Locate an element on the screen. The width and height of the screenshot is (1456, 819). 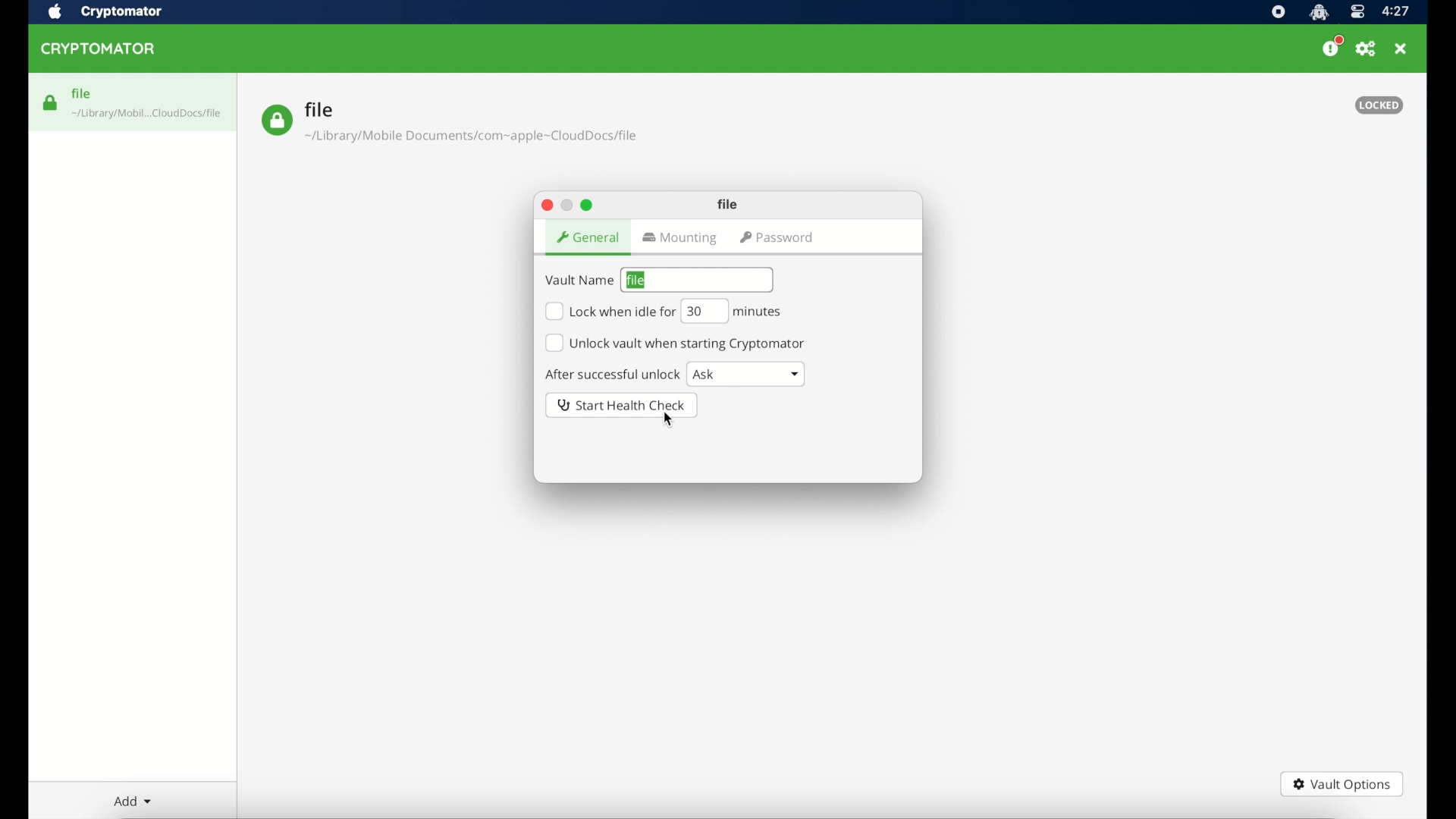
preferences is located at coordinates (1367, 49).